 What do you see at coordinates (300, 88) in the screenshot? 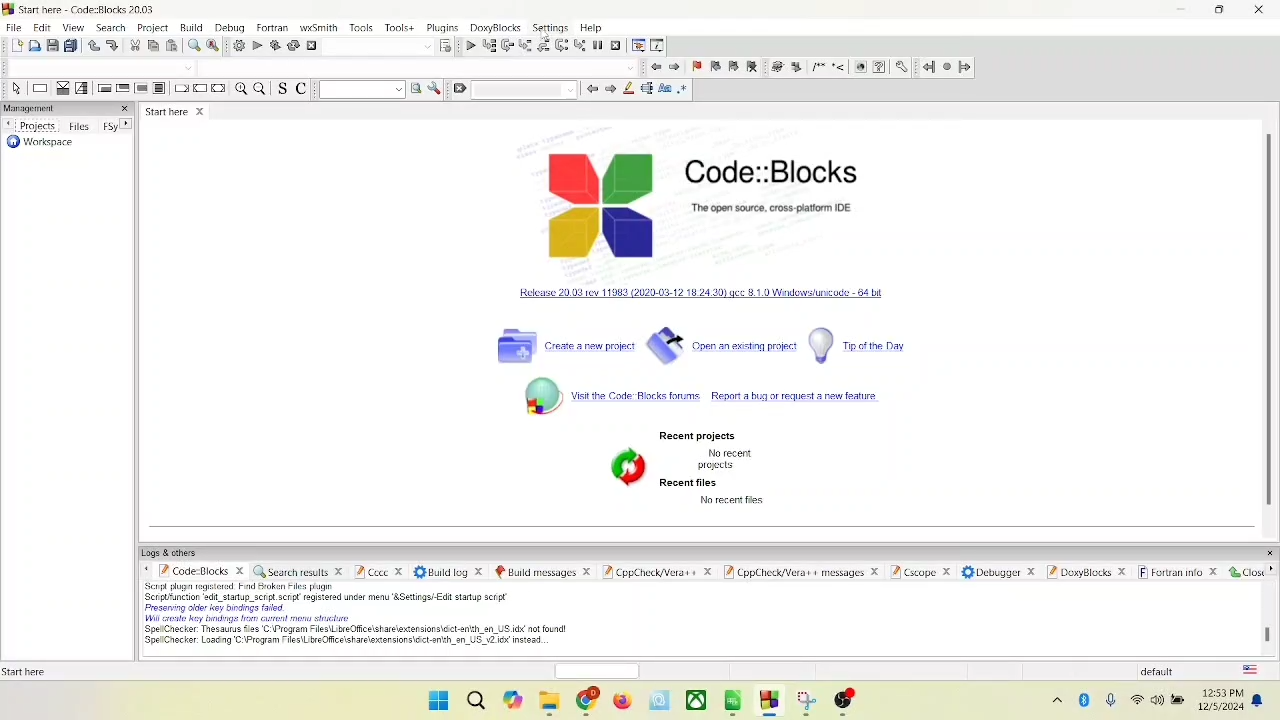
I see `toggle comment` at bounding box center [300, 88].